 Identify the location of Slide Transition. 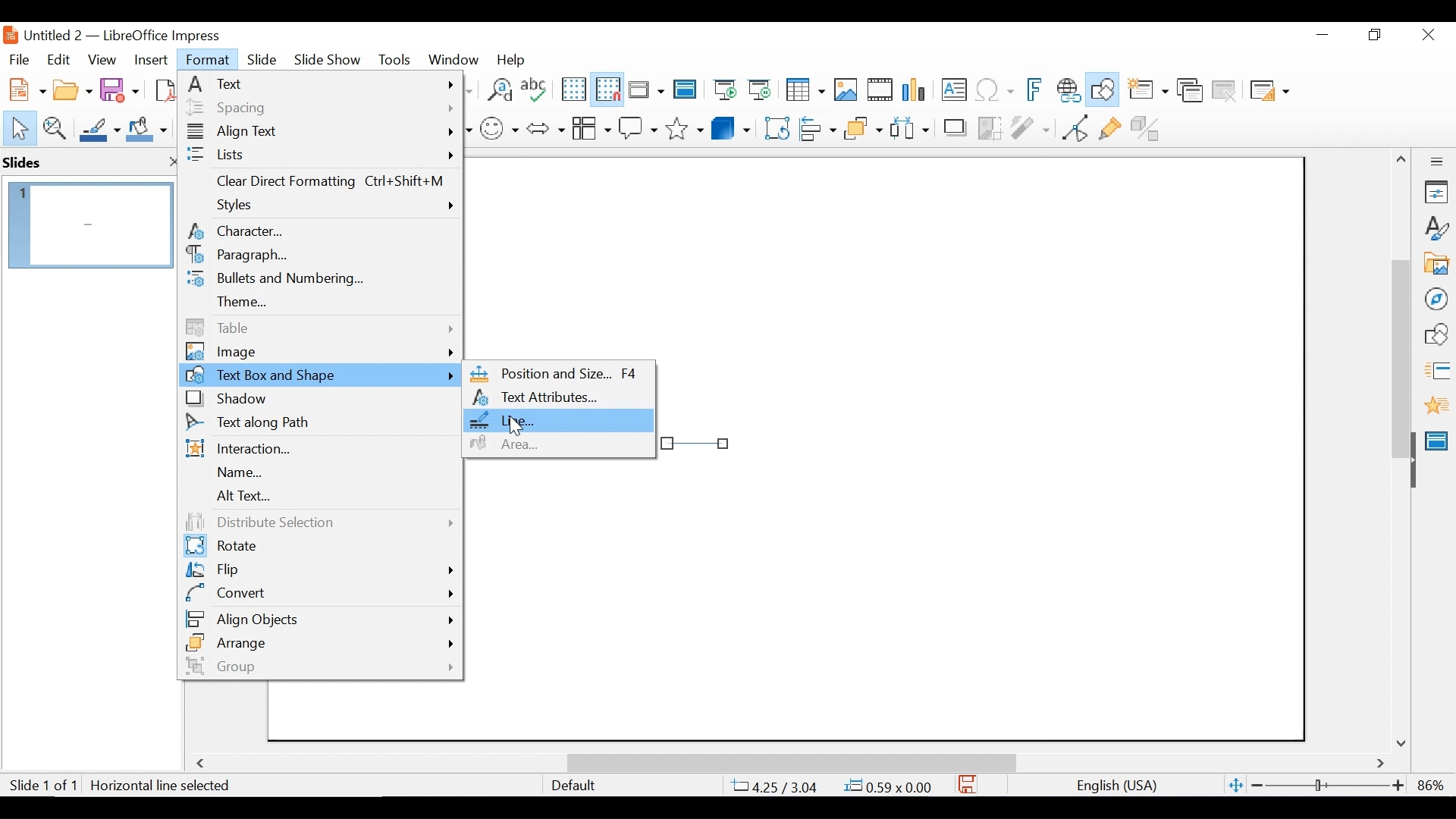
(1436, 372).